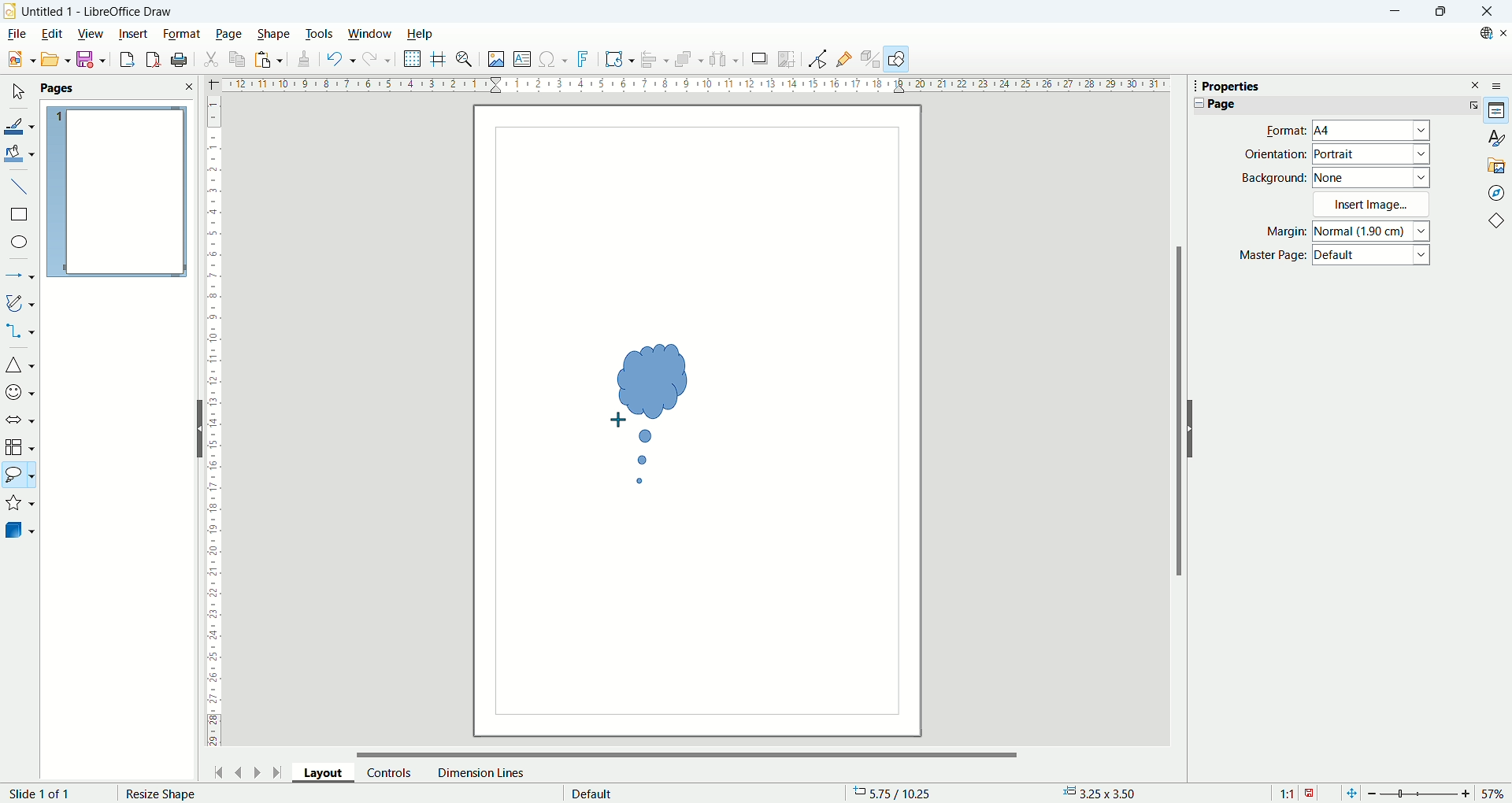 The height and width of the screenshot is (803, 1512). What do you see at coordinates (1105, 793) in the screenshot?
I see `dimensions` at bounding box center [1105, 793].